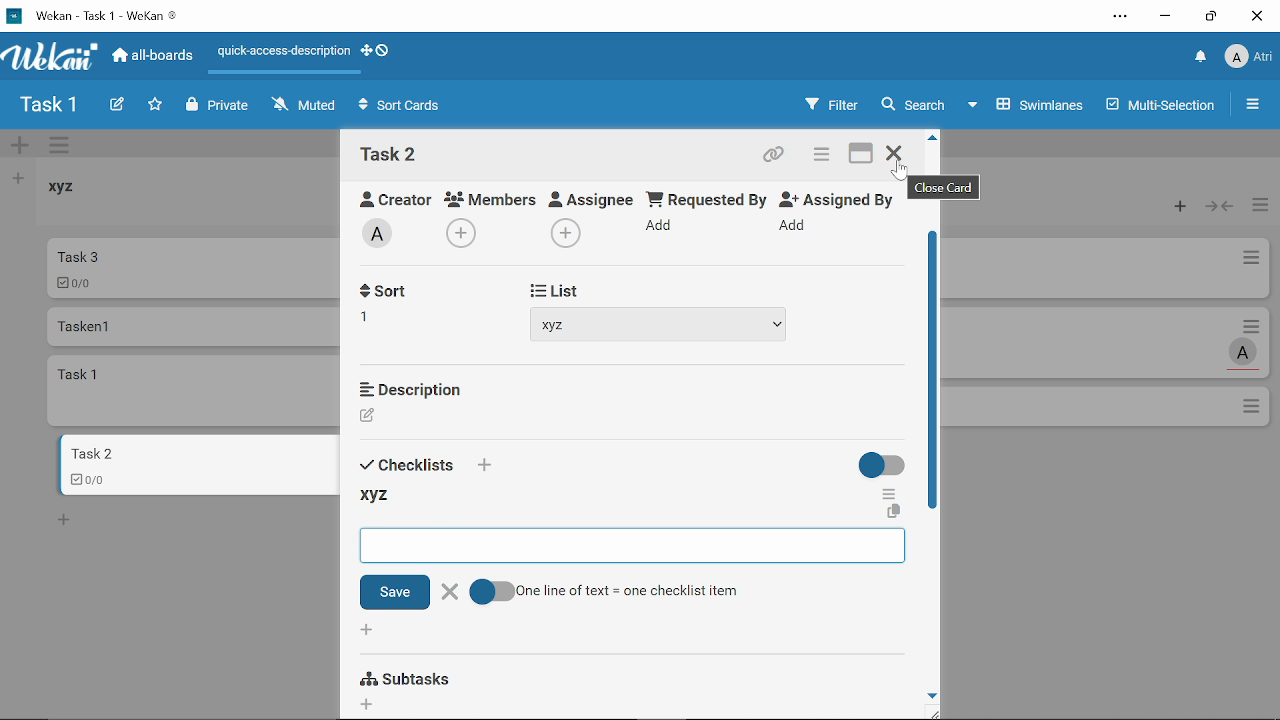  Describe the element at coordinates (92, 14) in the screenshot. I see `Current window` at that location.